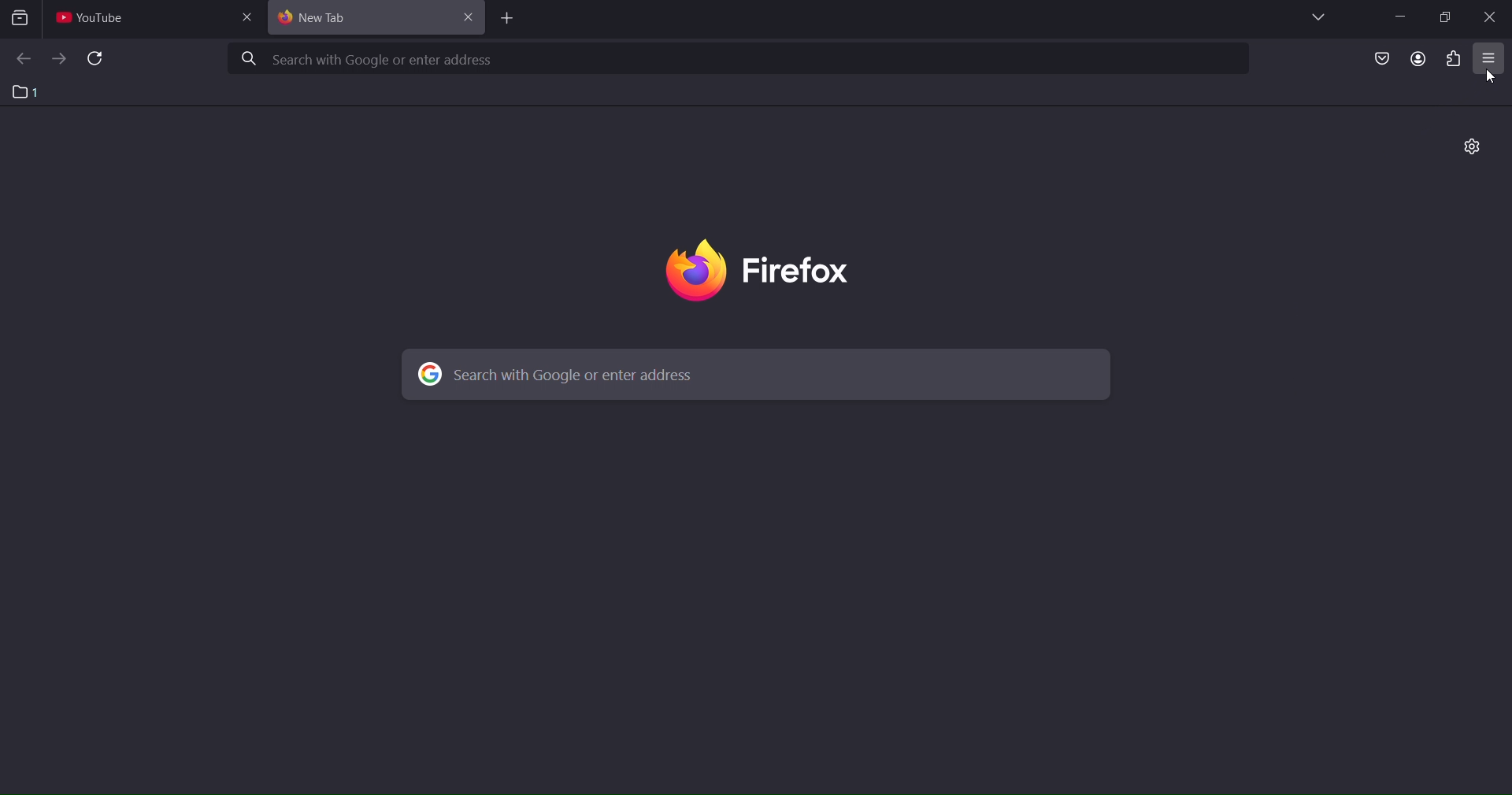 The image size is (1512, 795). What do you see at coordinates (1316, 17) in the screenshot?
I see `list all tabs` at bounding box center [1316, 17].